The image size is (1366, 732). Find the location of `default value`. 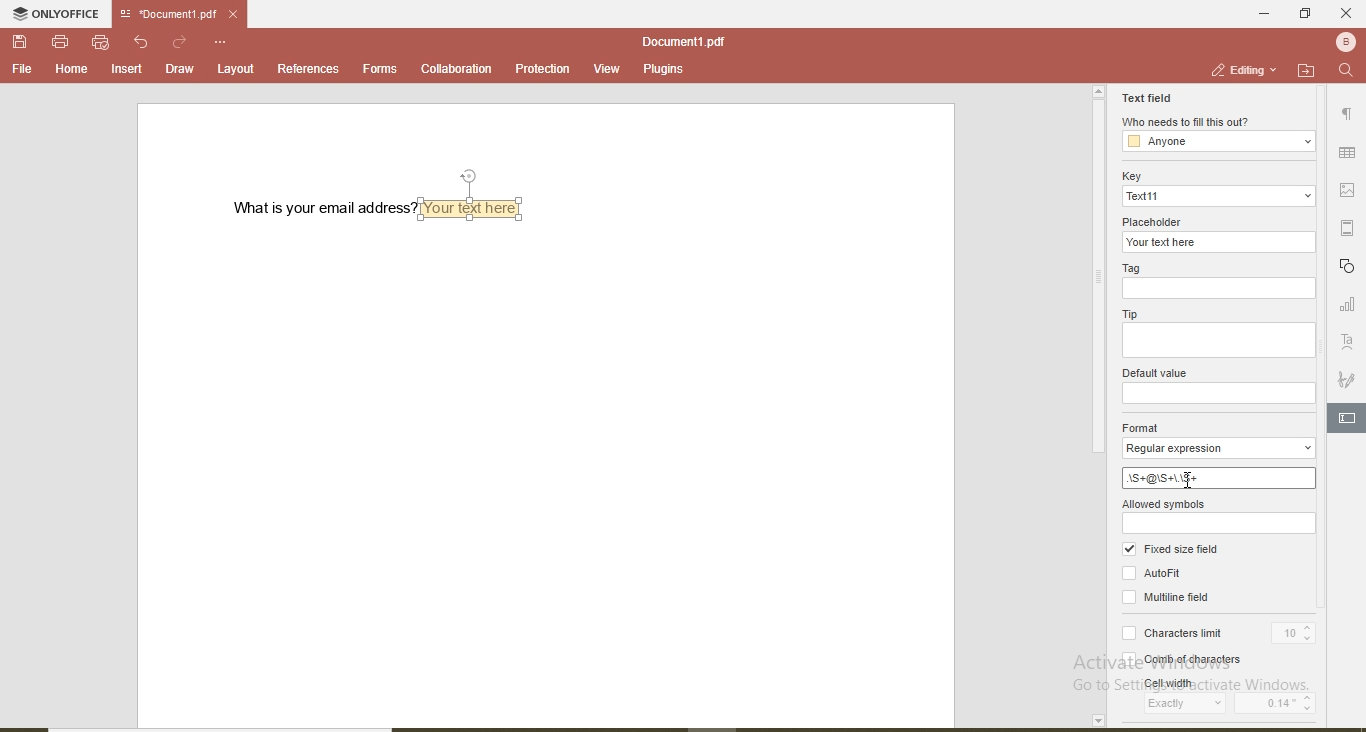

default value is located at coordinates (1153, 373).